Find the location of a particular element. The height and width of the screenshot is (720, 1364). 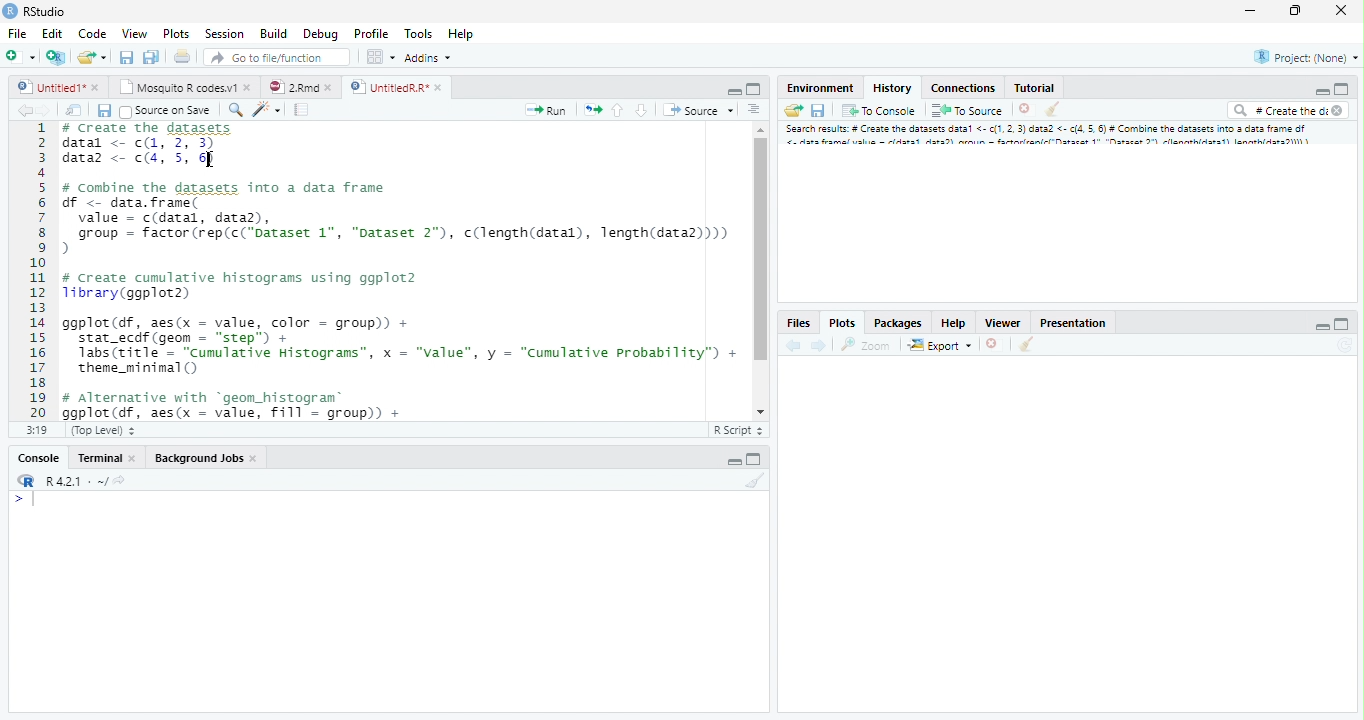

Print is located at coordinates (185, 57).